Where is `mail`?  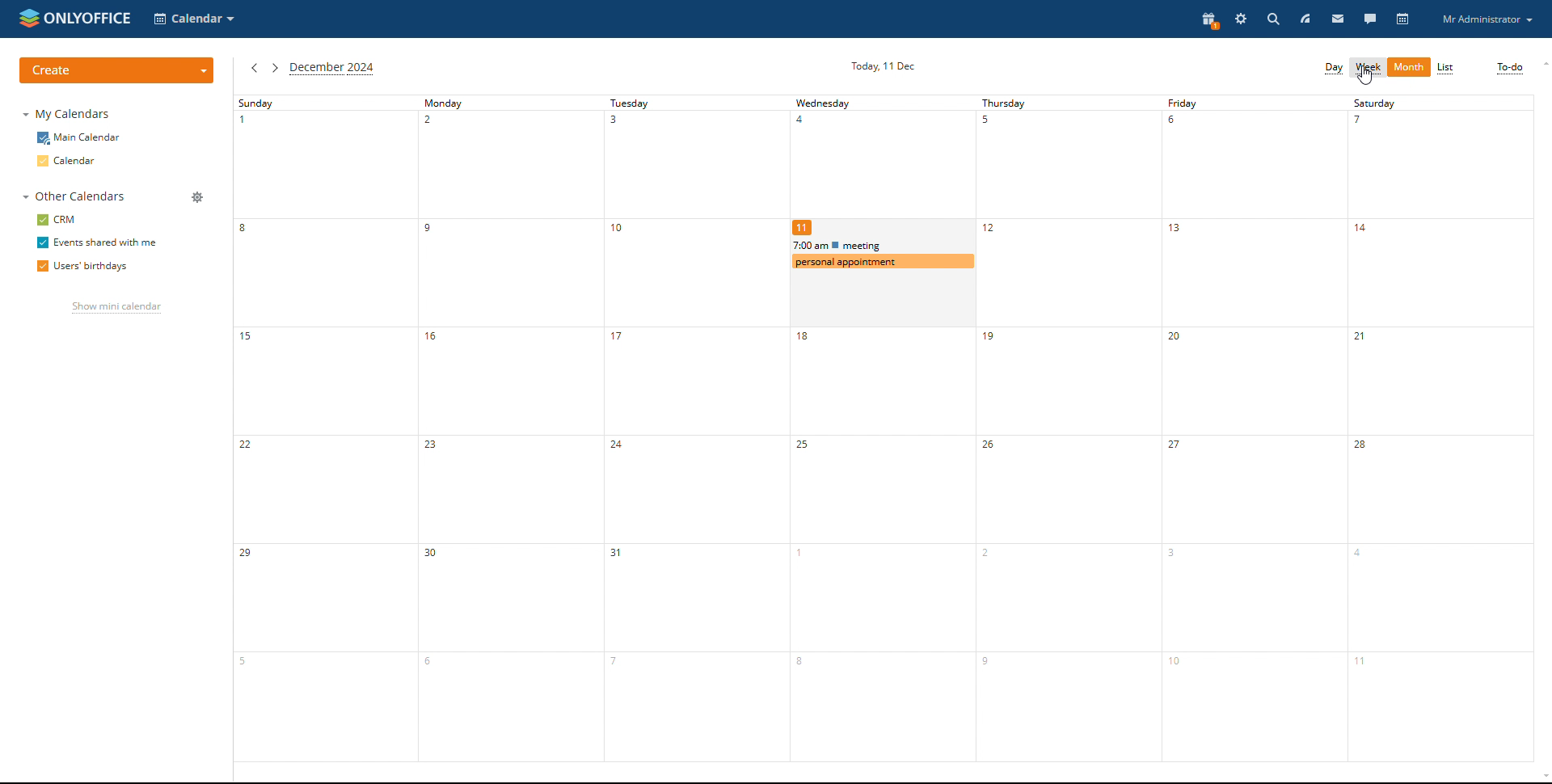
mail is located at coordinates (1337, 18).